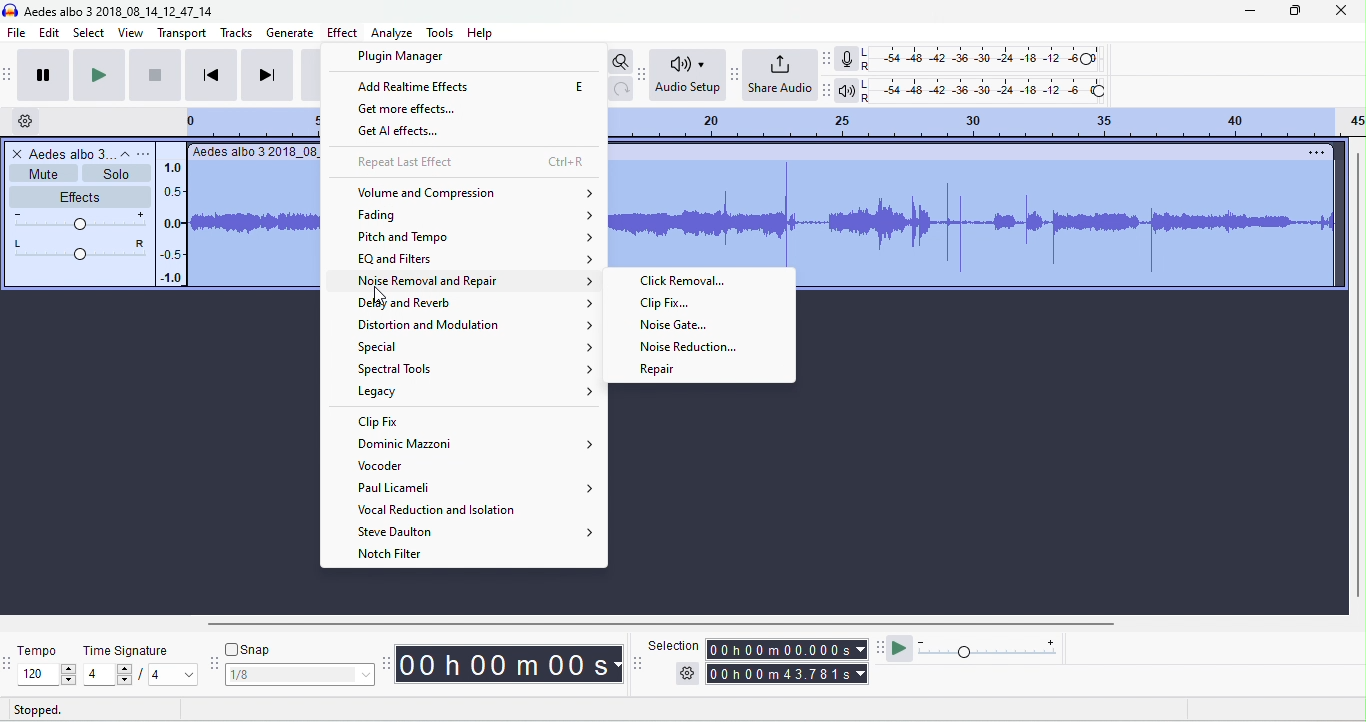  I want to click on pause, so click(44, 75).